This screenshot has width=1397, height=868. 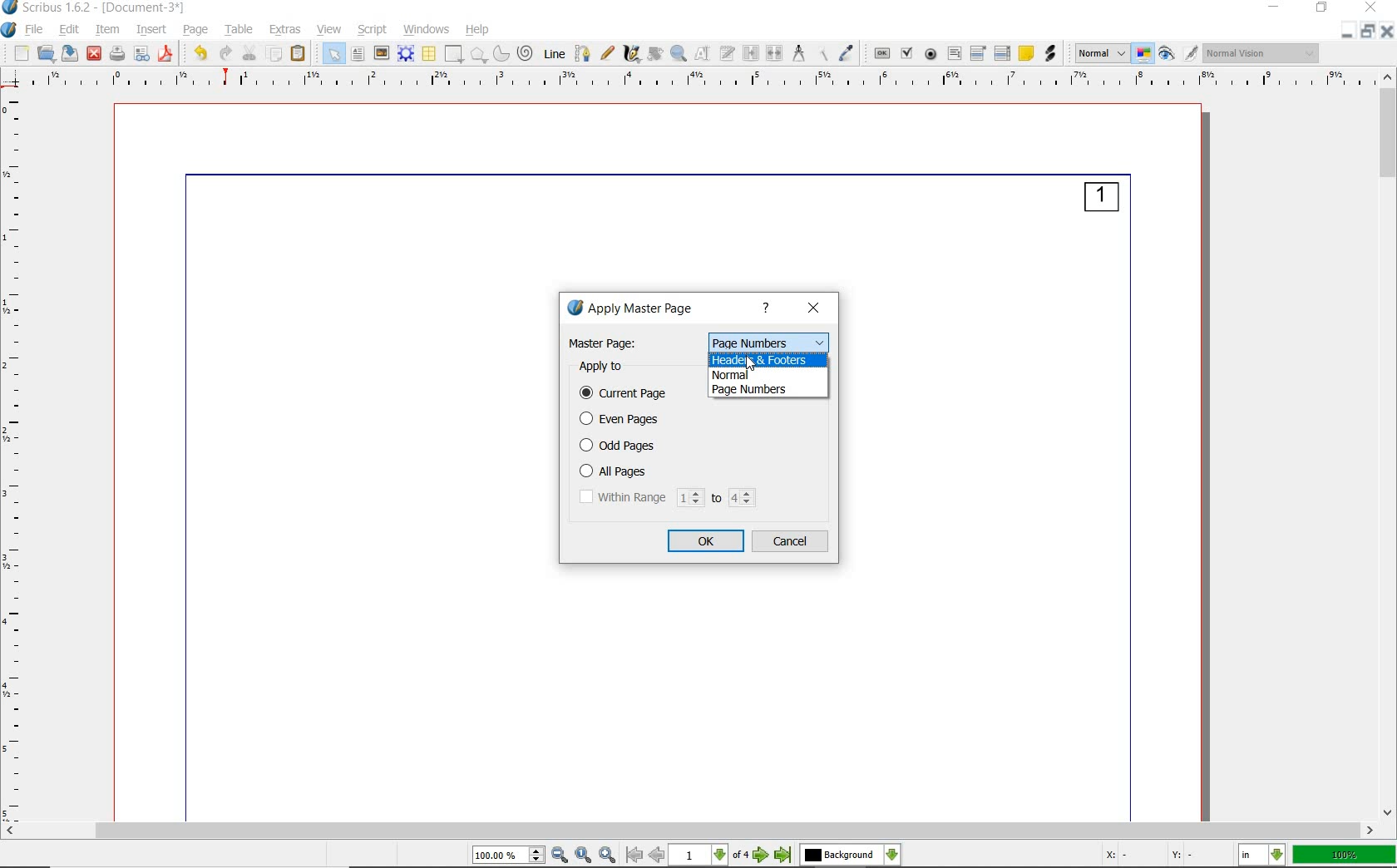 I want to click on link annotation, so click(x=1051, y=53).